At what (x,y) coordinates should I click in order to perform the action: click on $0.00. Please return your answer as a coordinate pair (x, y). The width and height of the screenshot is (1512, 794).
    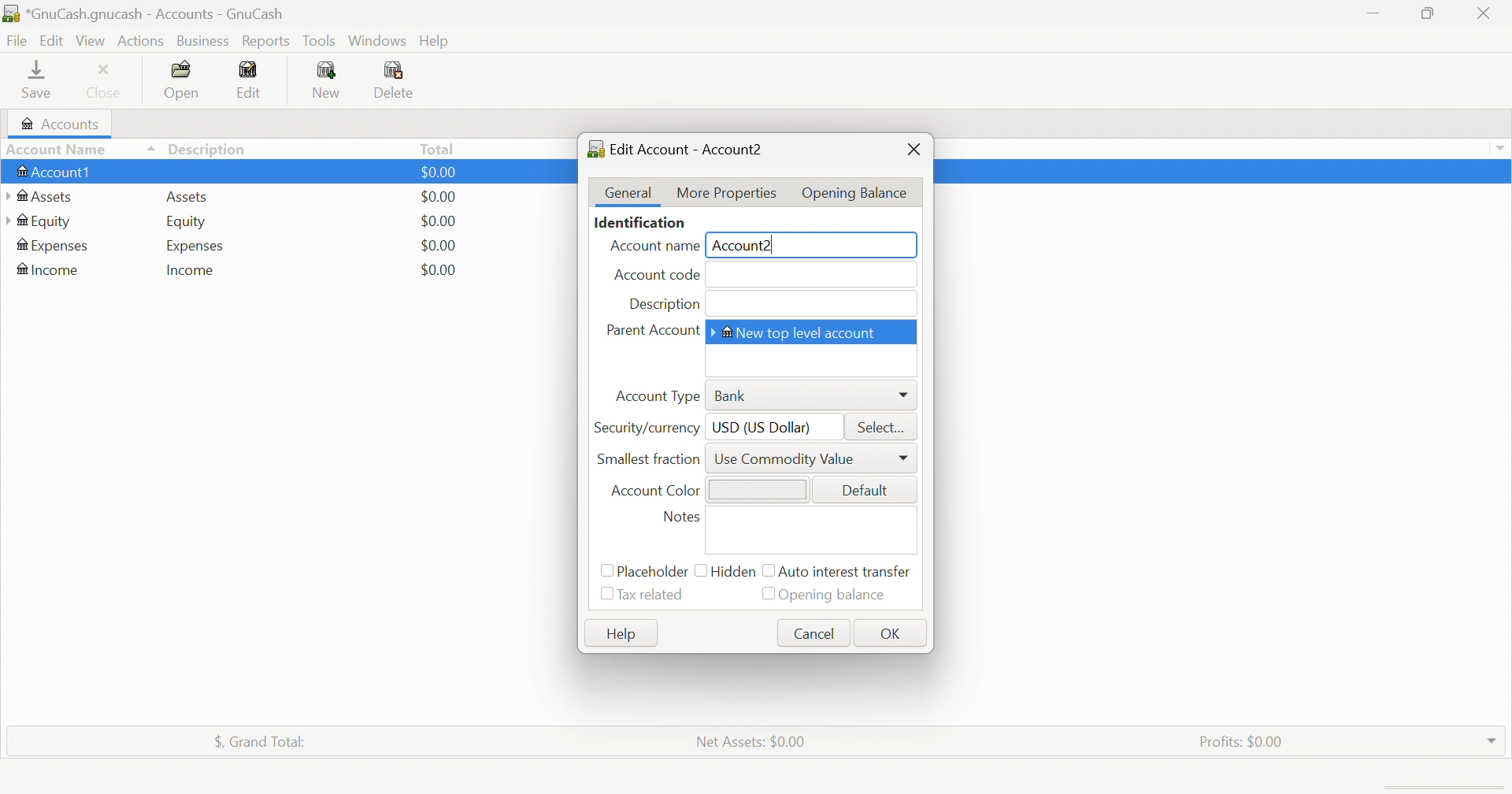
    Looking at the image, I should click on (438, 220).